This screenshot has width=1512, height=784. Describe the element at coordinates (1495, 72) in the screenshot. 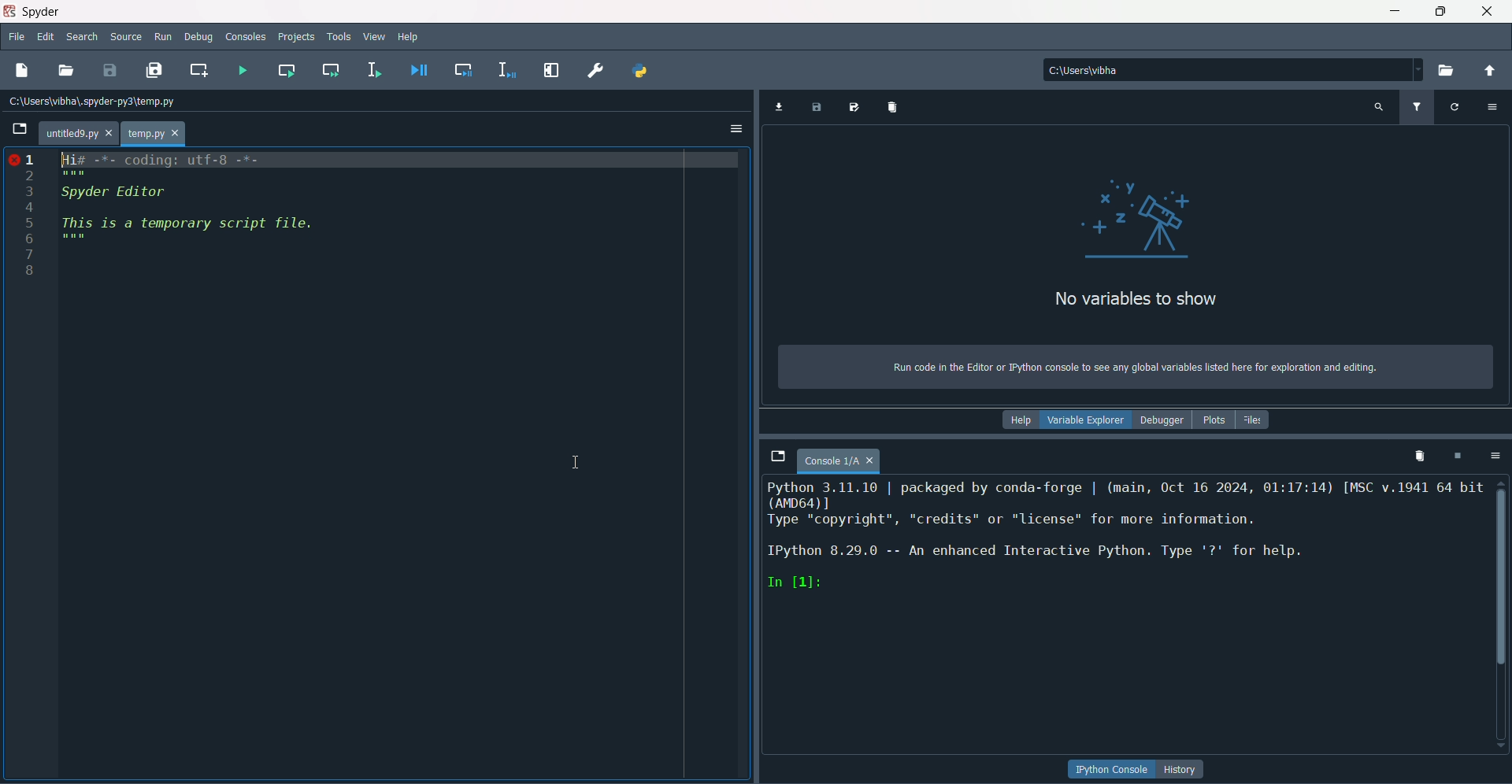

I see `change to parent directory` at that location.